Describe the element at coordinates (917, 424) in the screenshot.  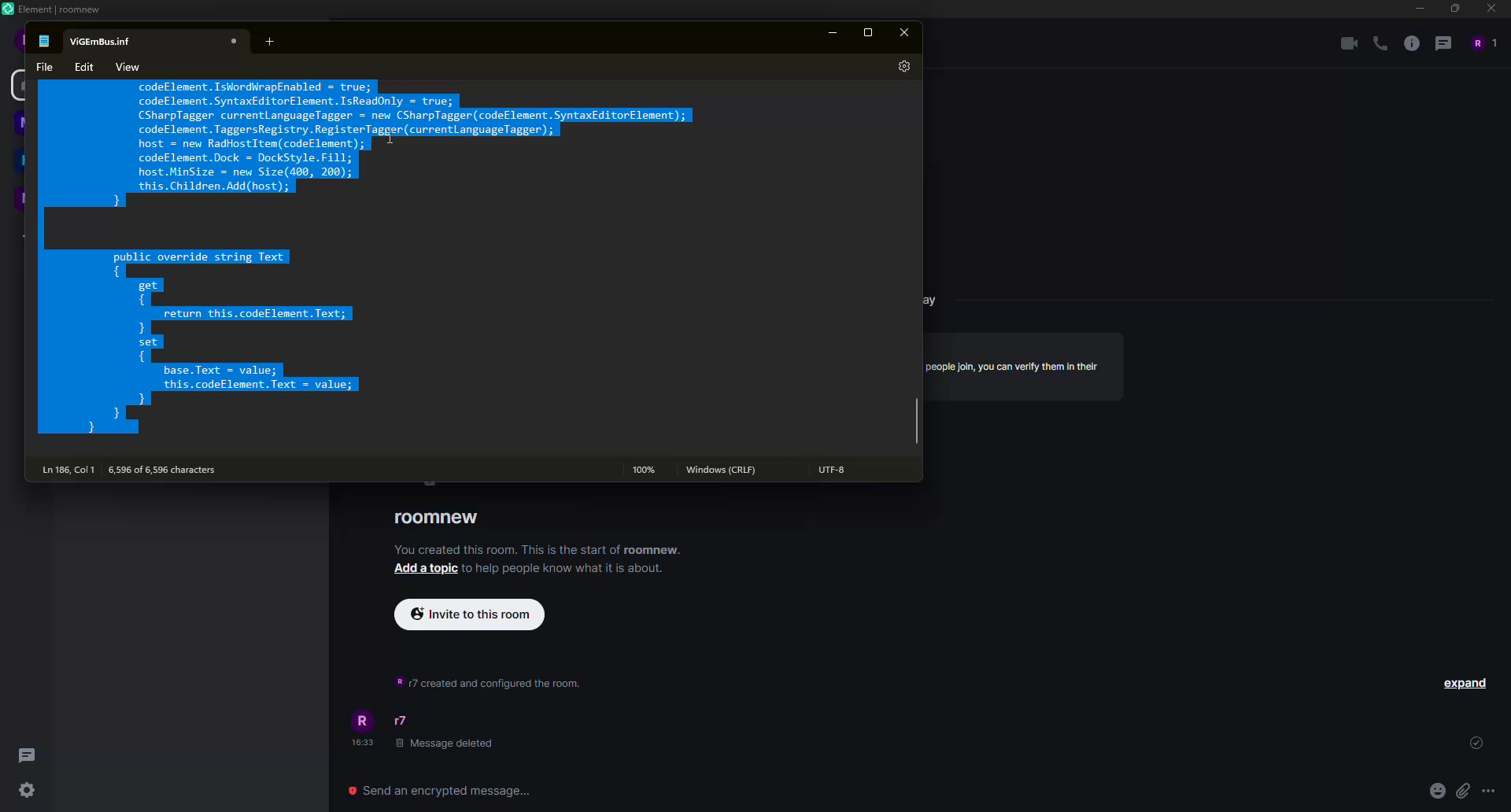
I see `scroll bar` at that location.